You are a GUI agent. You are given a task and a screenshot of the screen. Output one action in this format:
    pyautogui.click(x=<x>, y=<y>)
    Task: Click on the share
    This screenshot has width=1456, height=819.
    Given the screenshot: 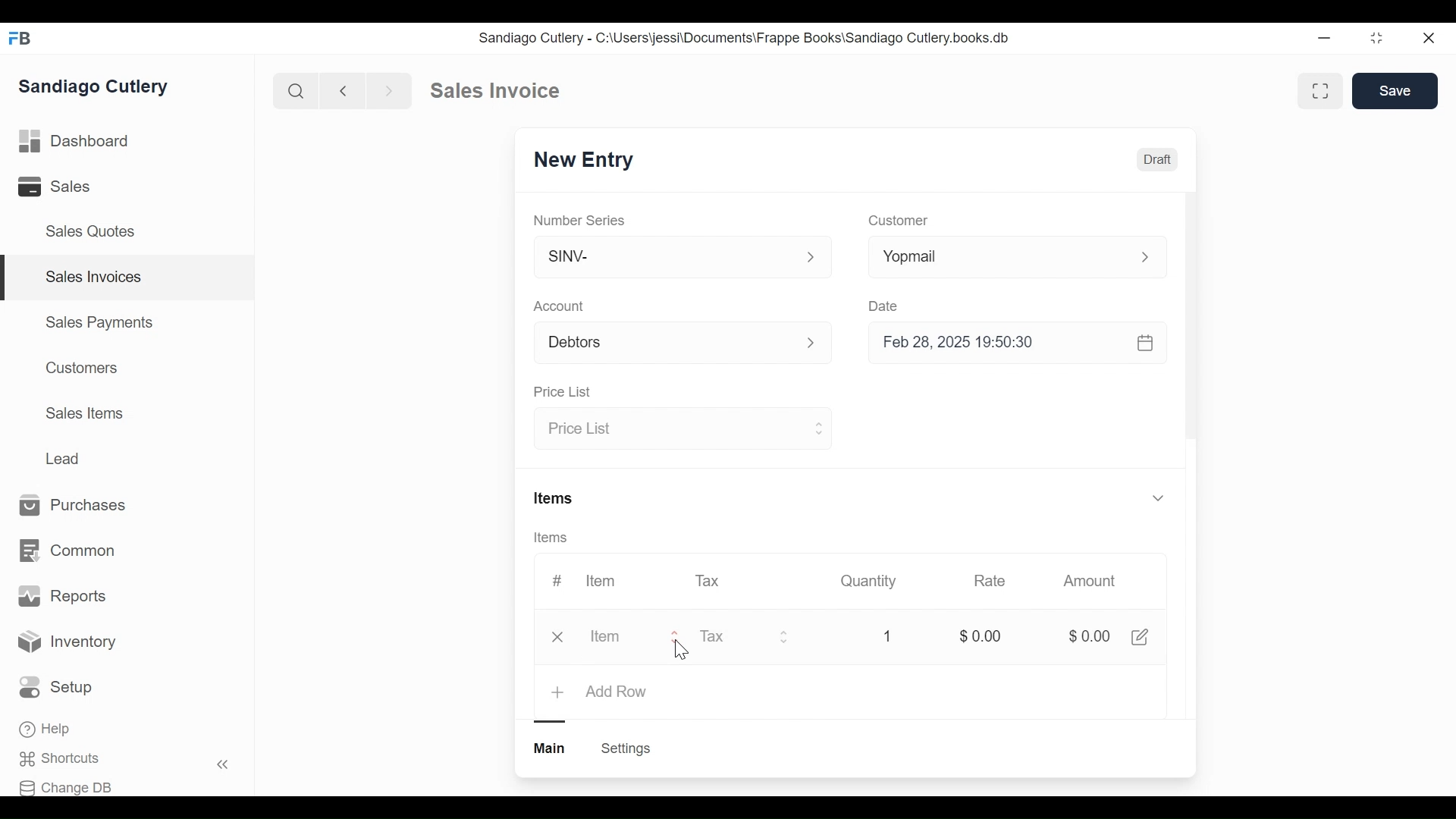 What is the action you would take?
    pyautogui.click(x=1144, y=637)
    